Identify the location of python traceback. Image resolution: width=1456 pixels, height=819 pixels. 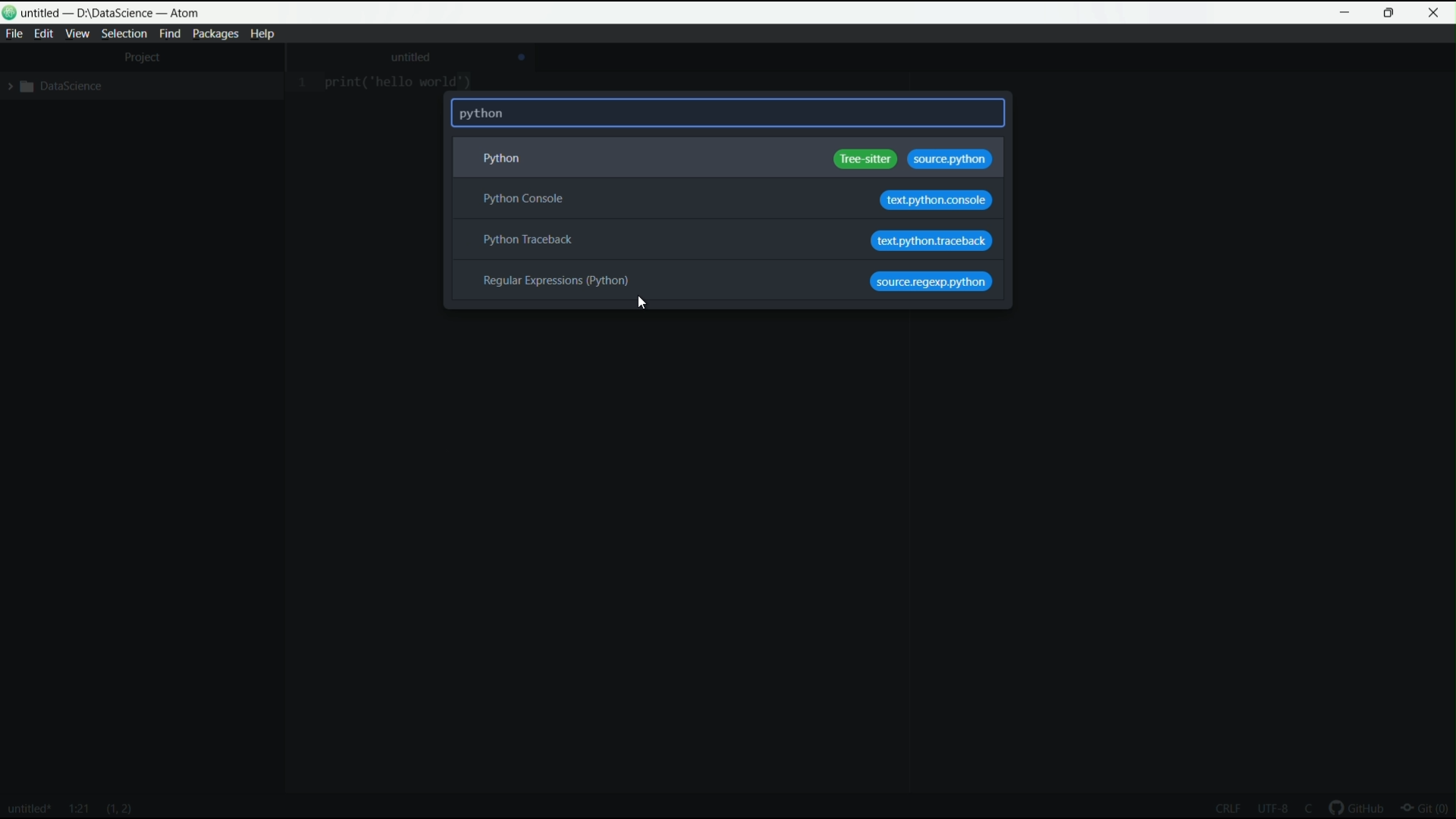
(526, 240).